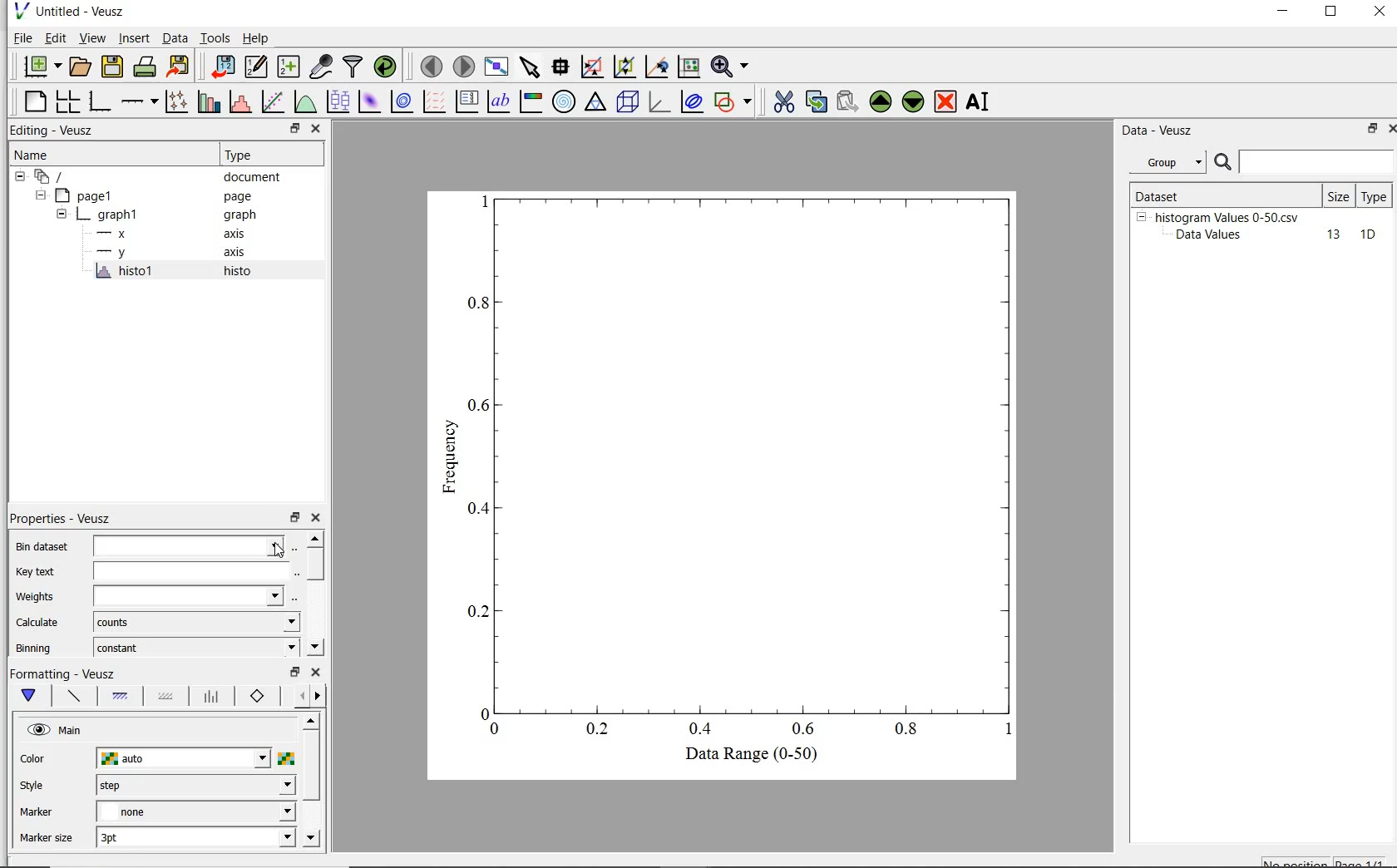 The height and width of the screenshot is (868, 1397). Describe the element at coordinates (95, 37) in the screenshot. I see `view` at that location.